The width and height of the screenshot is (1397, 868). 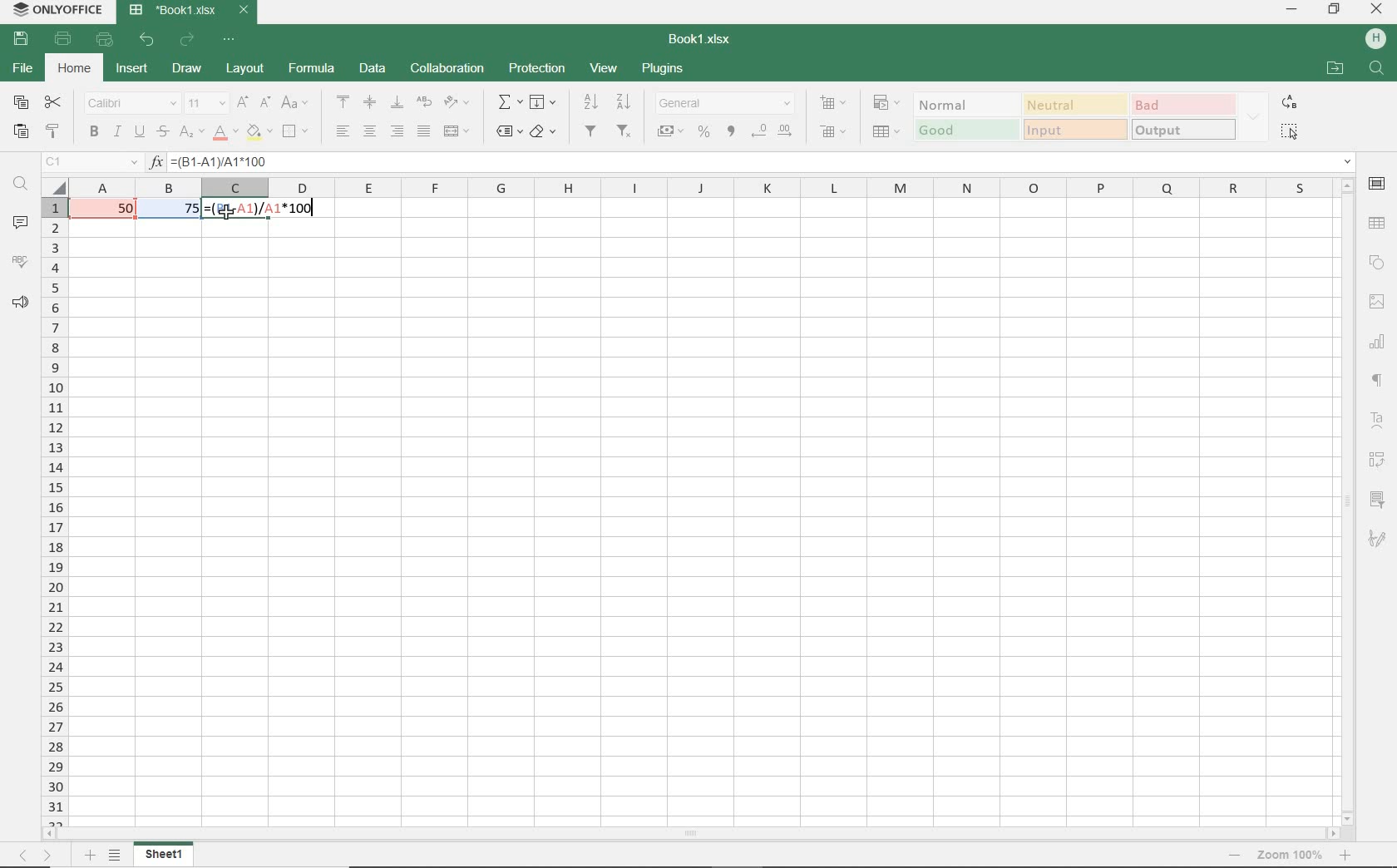 What do you see at coordinates (590, 102) in the screenshot?
I see `sort ascending` at bounding box center [590, 102].